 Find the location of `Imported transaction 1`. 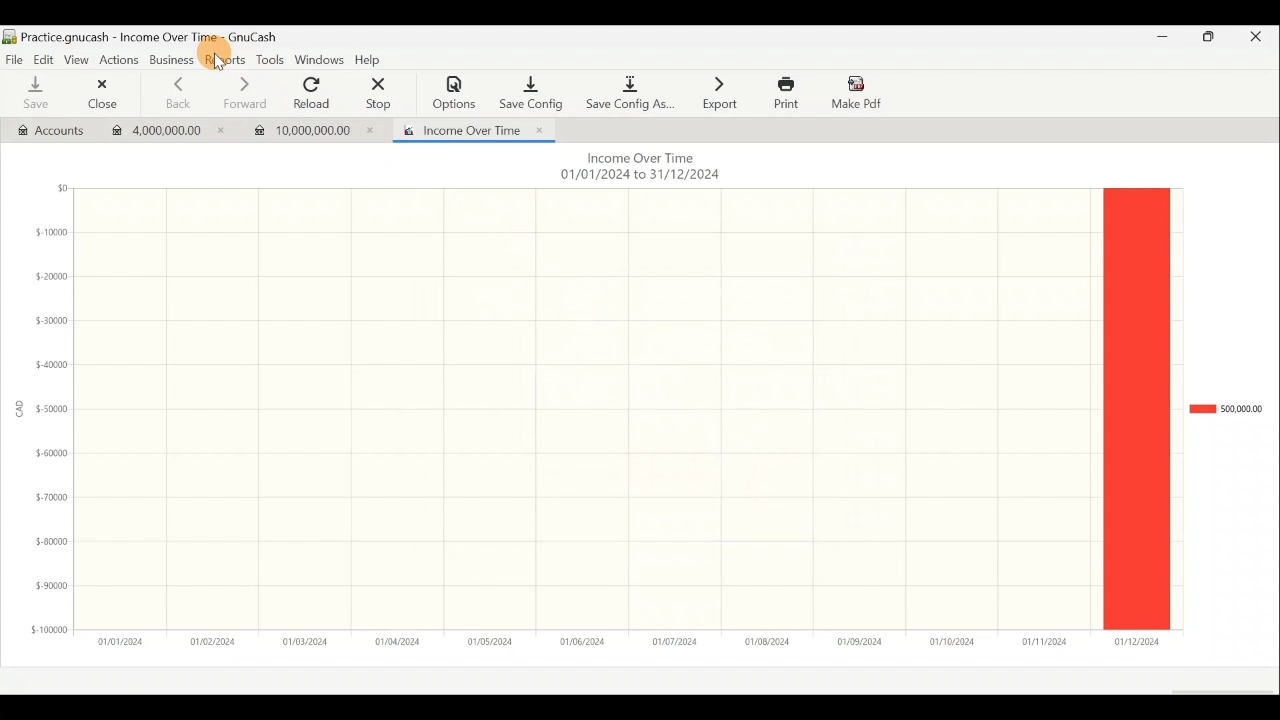

Imported transaction 1 is located at coordinates (168, 132).